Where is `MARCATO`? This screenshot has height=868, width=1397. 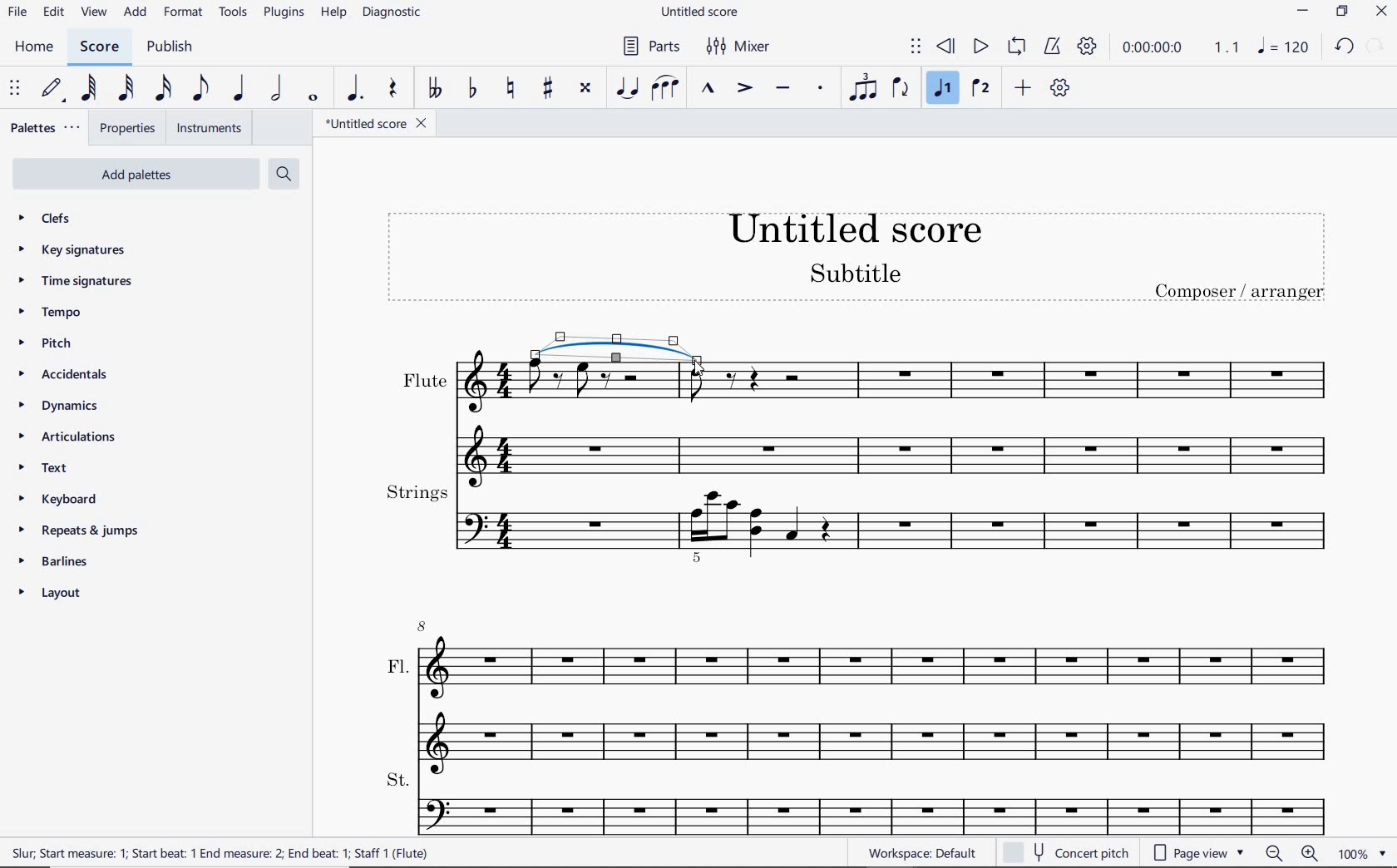 MARCATO is located at coordinates (709, 89).